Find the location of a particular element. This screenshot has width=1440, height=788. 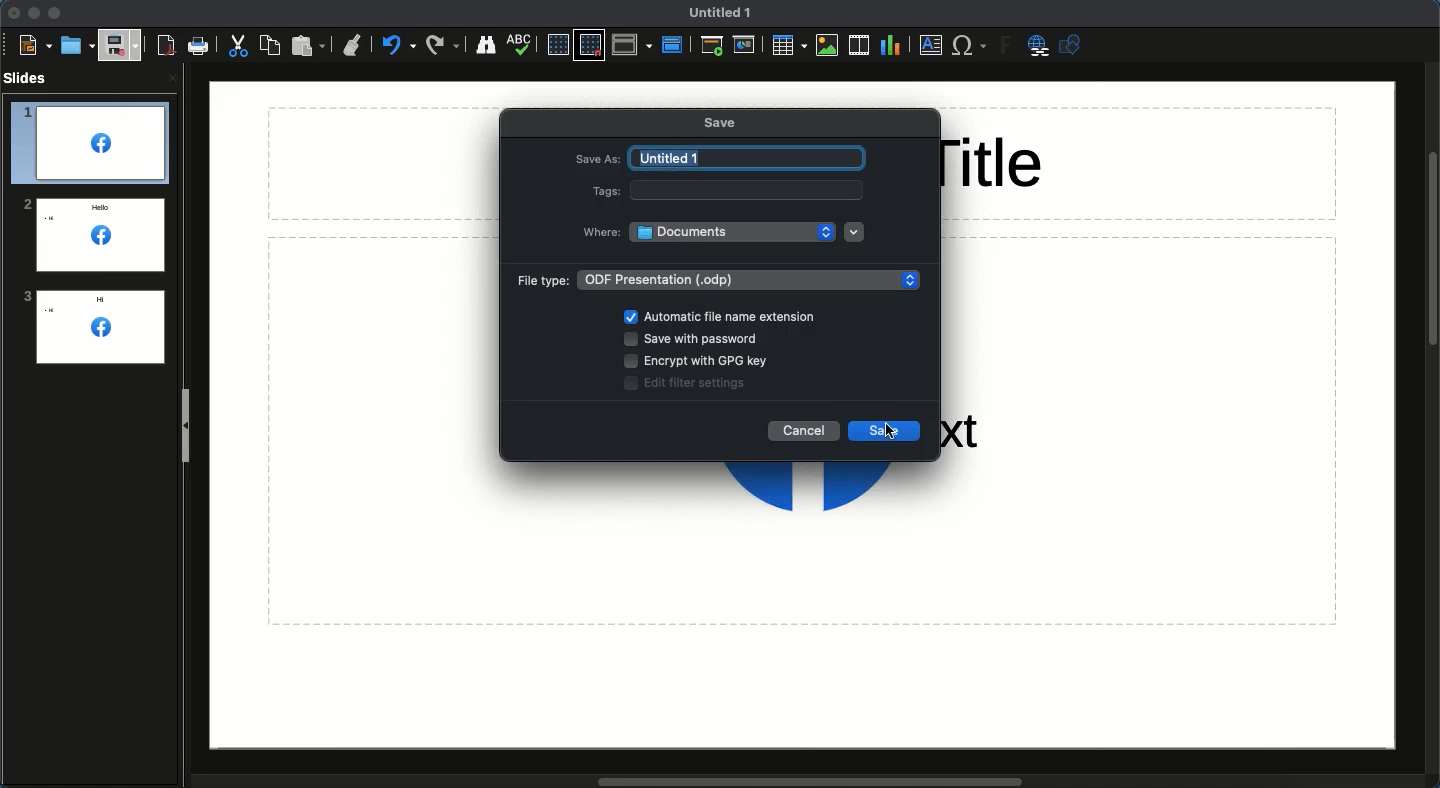

Characters is located at coordinates (971, 47).